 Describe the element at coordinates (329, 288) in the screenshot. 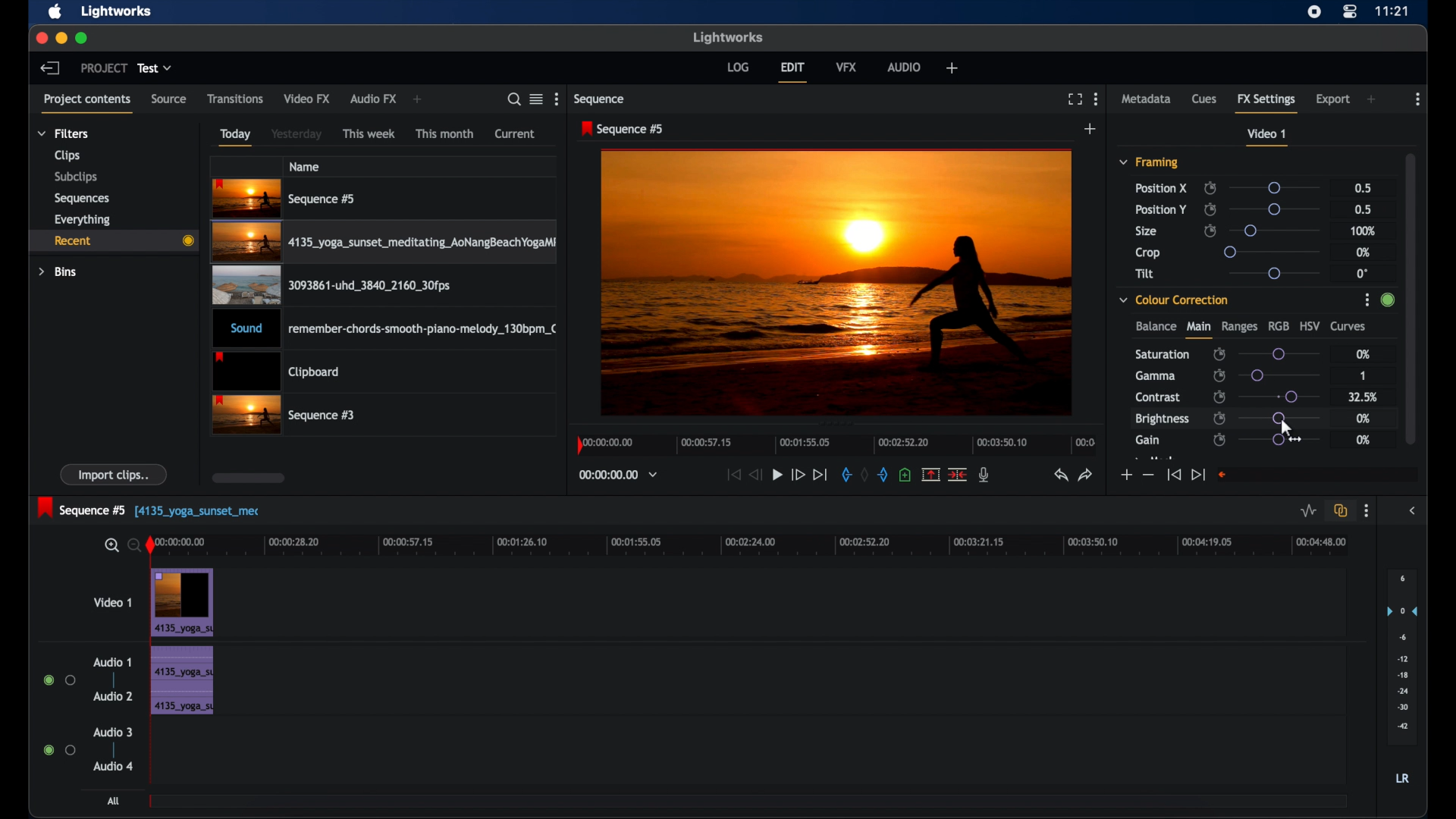

I see `video clip` at that location.